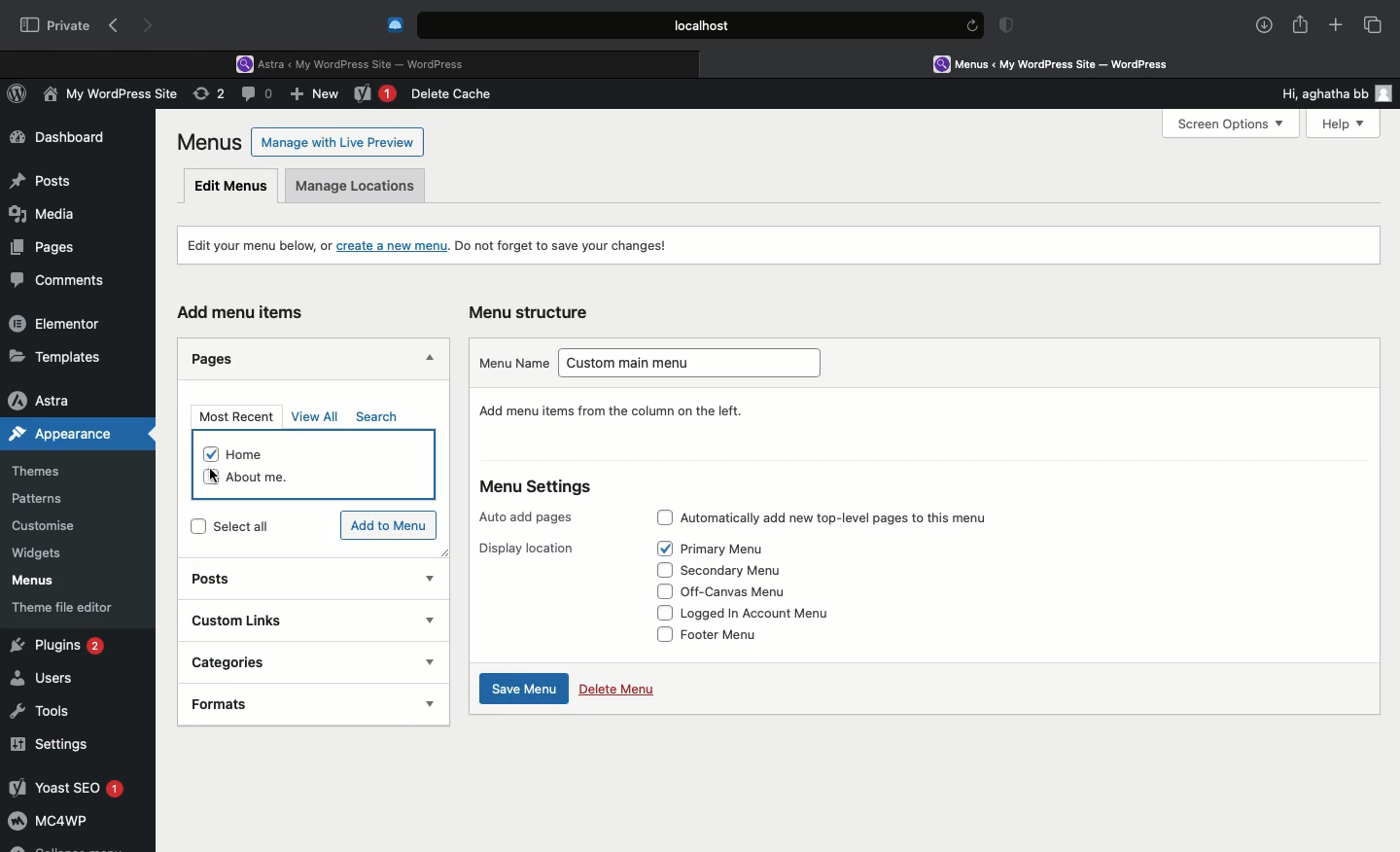 The width and height of the screenshot is (1400, 852). What do you see at coordinates (66, 281) in the screenshot?
I see `Comments` at bounding box center [66, 281].